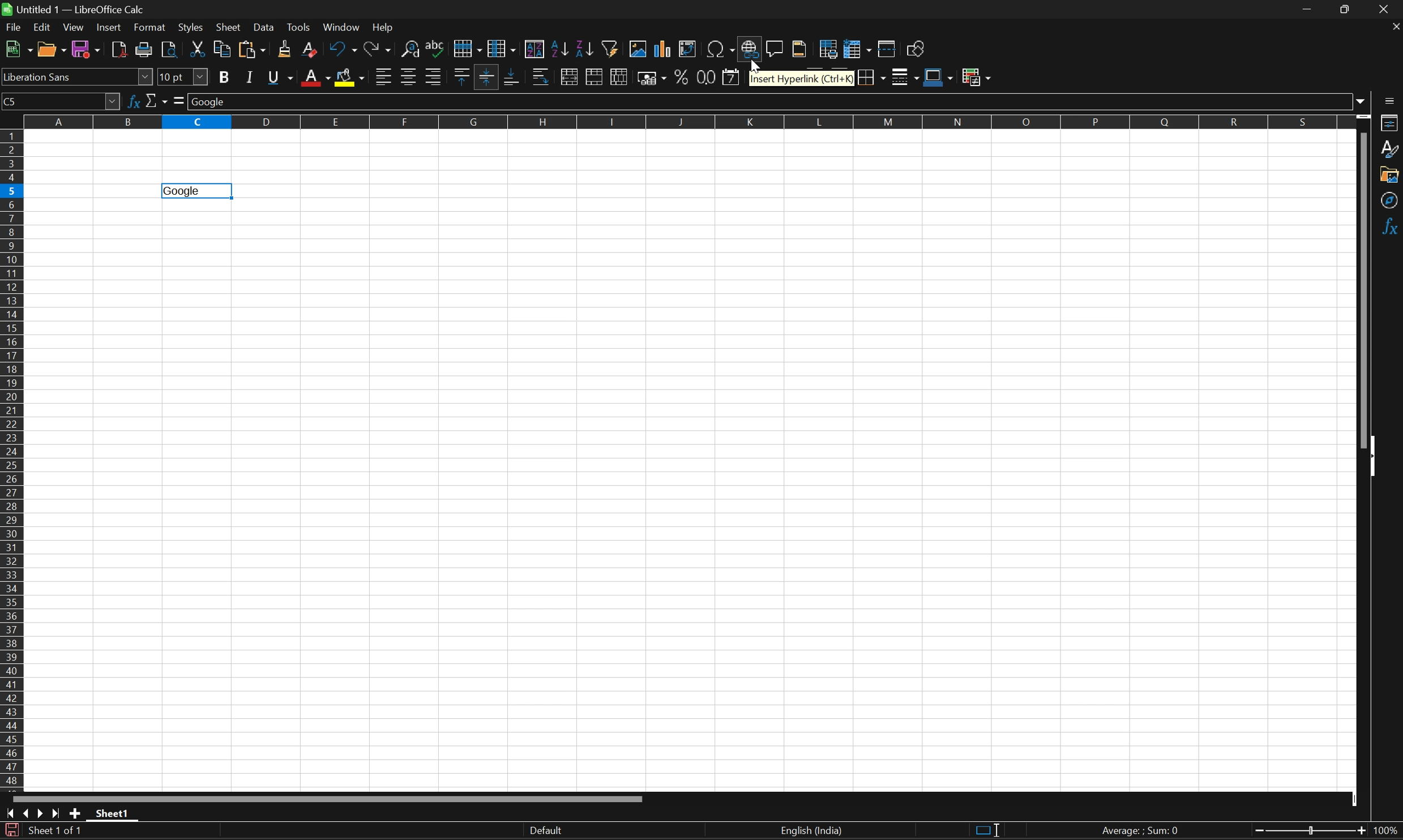  I want to click on Insert image, so click(639, 48).